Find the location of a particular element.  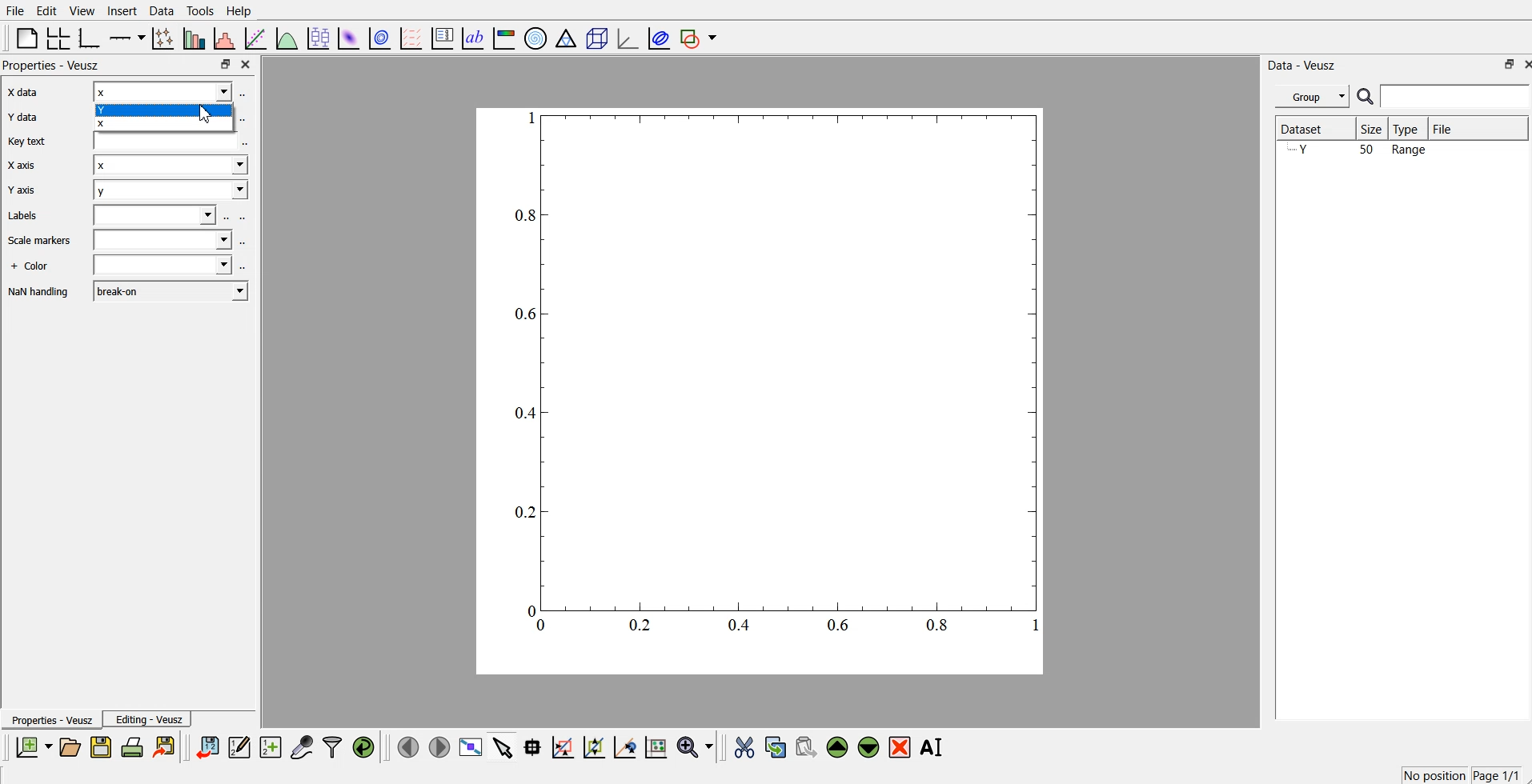

reload linked datas is located at coordinates (365, 748).